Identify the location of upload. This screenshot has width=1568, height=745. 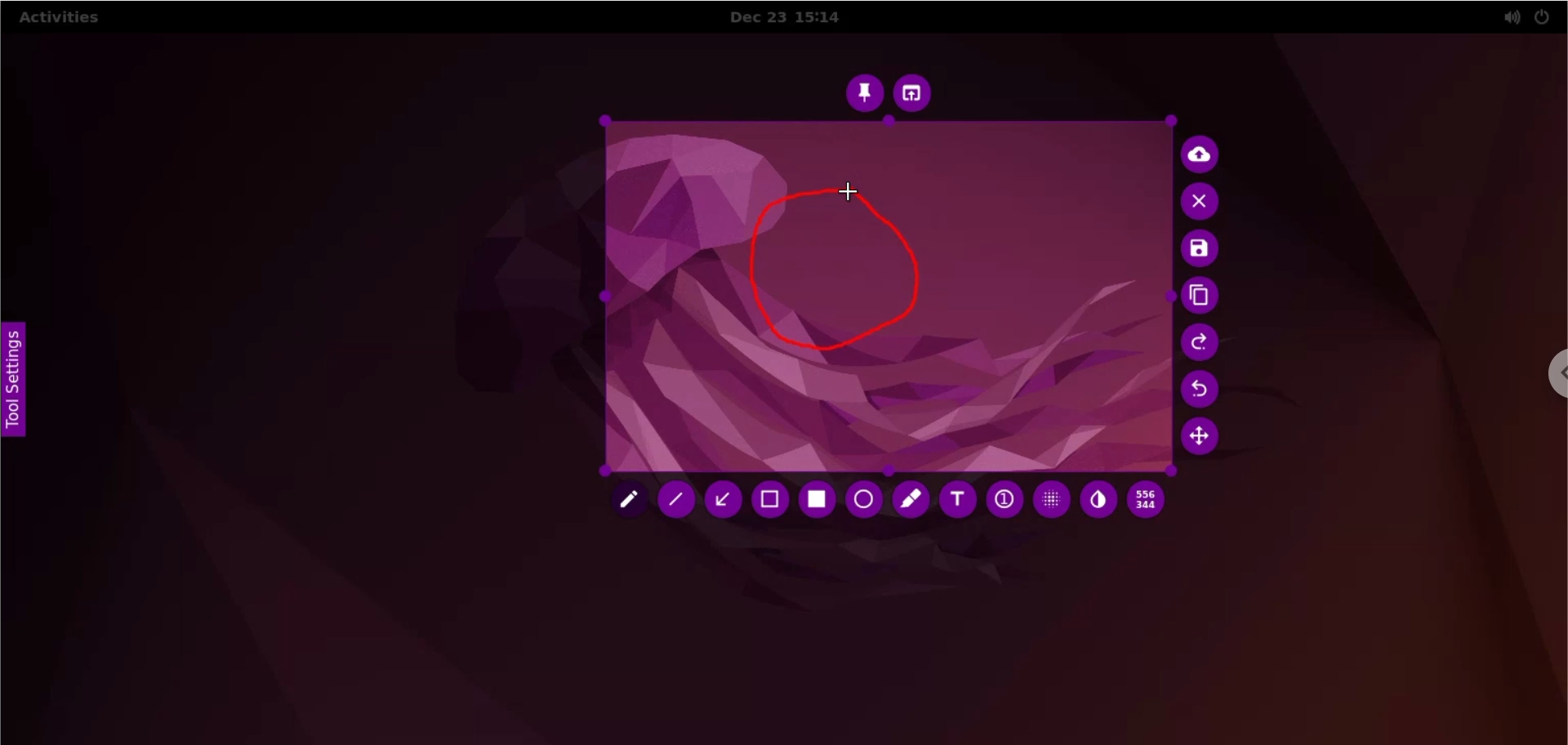
(1205, 156).